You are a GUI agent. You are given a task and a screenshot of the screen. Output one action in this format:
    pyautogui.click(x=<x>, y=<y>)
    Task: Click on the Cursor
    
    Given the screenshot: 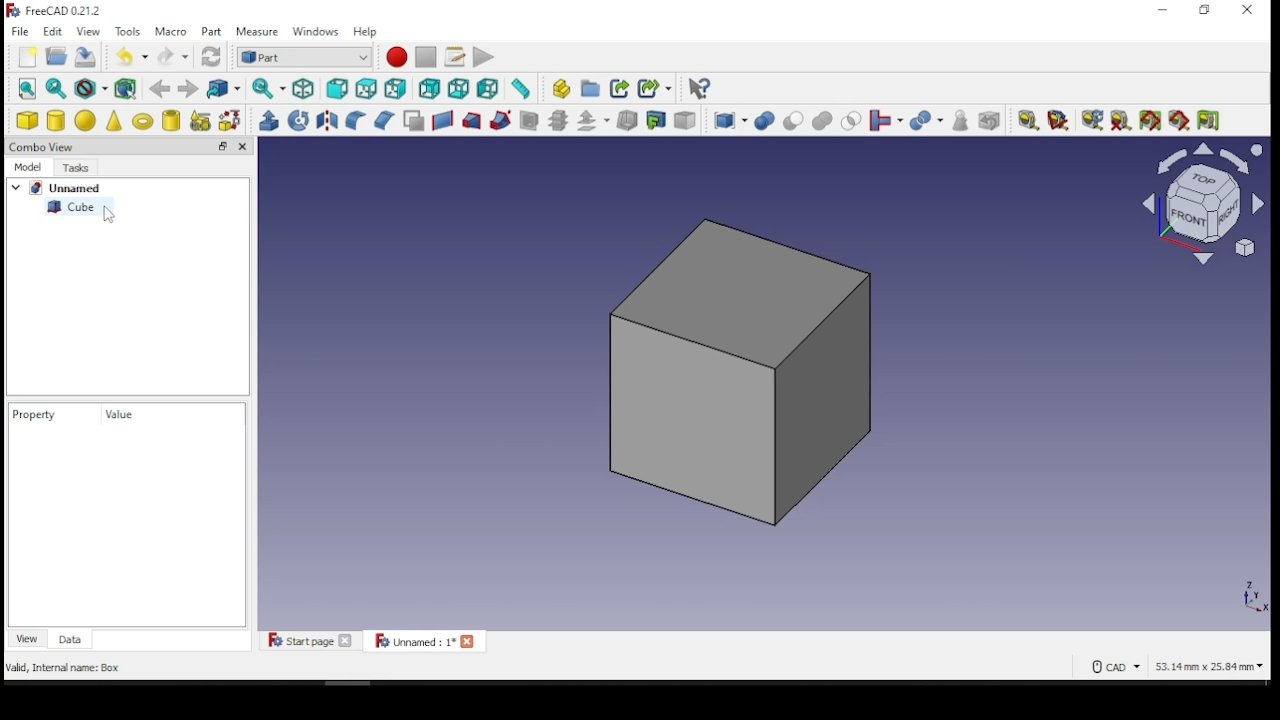 What is the action you would take?
    pyautogui.click(x=110, y=219)
    